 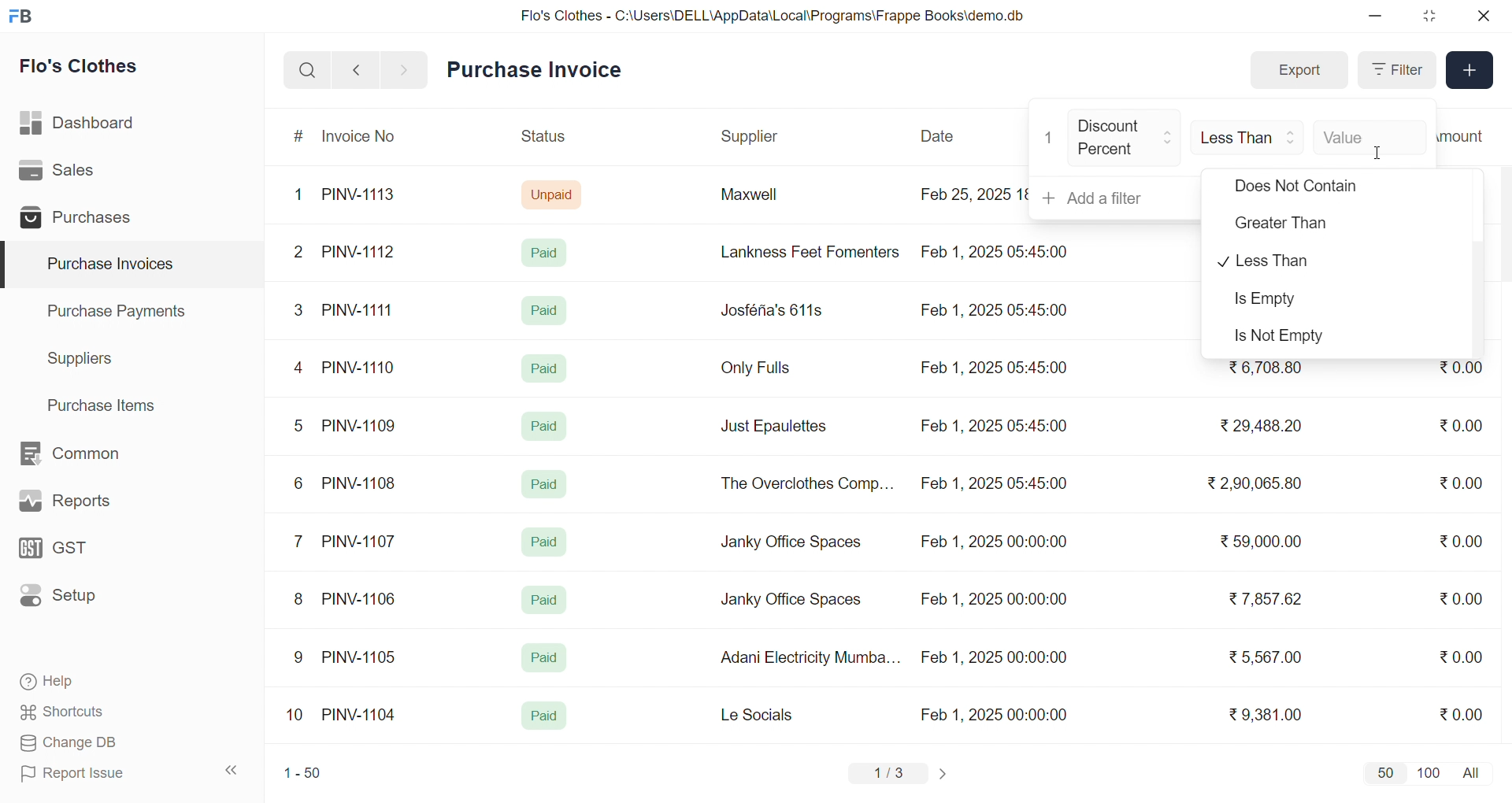 I want to click on Josféria's 611s, so click(x=769, y=308).